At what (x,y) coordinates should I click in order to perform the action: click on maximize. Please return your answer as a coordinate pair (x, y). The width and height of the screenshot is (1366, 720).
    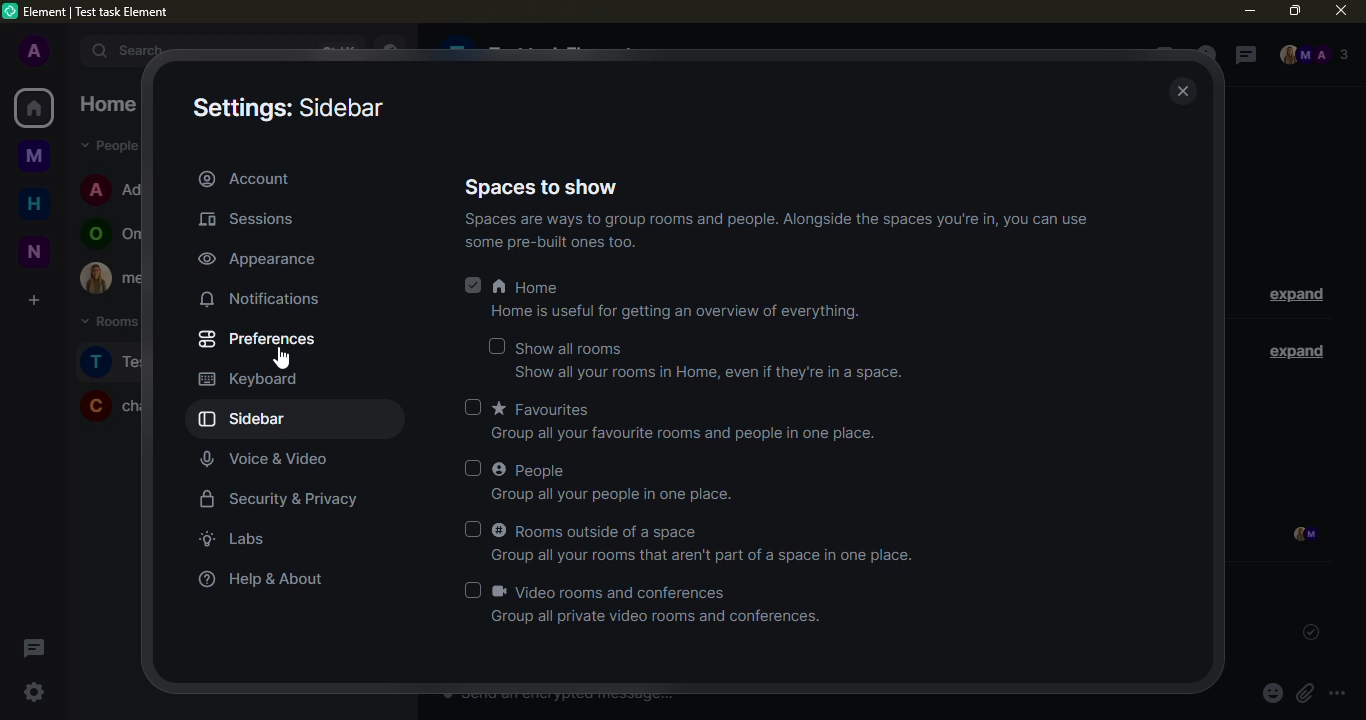
    Looking at the image, I should click on (1294, 9).